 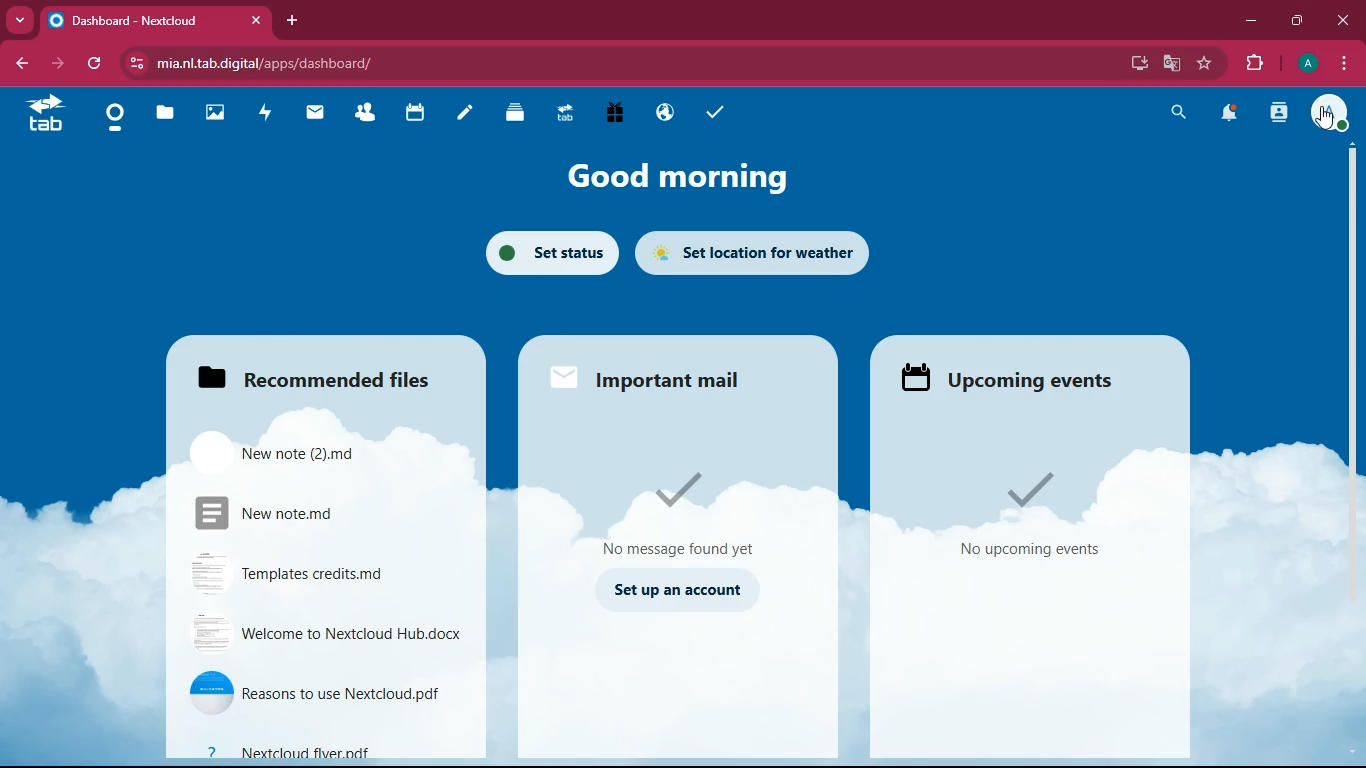 I want to click on images, so click(x=211, y=114).